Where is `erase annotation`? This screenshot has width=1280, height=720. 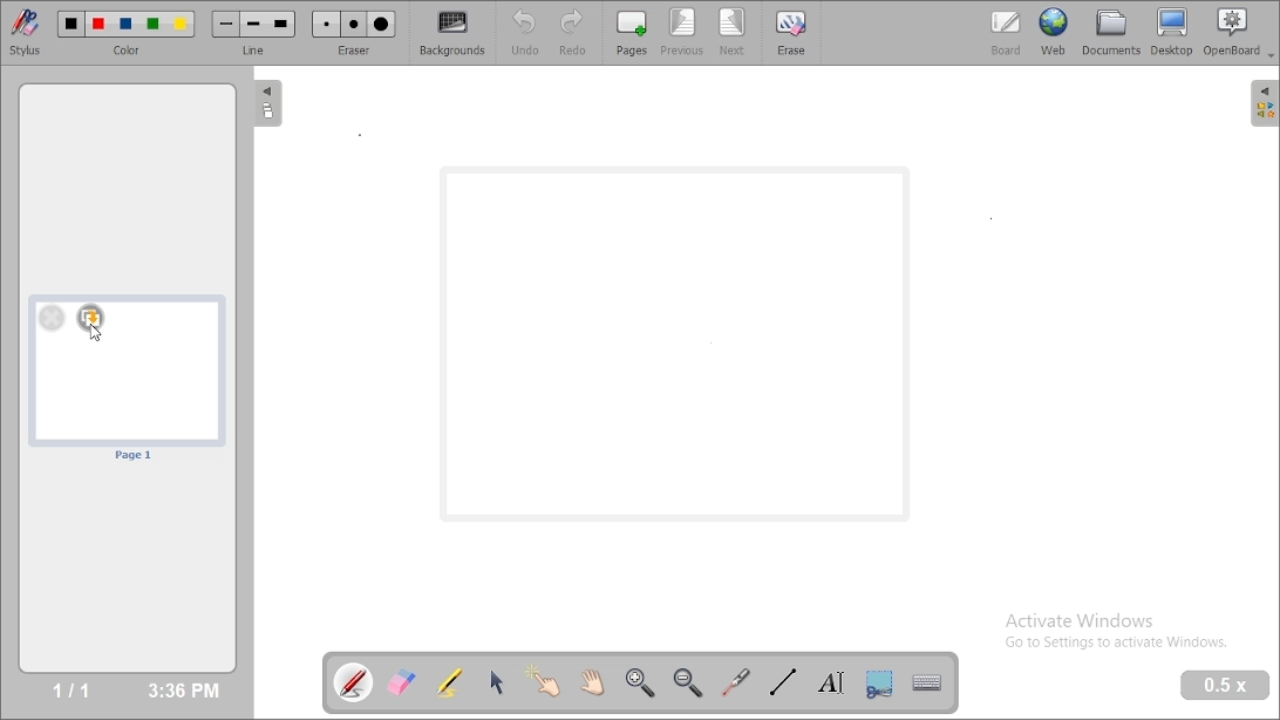 erase annotation is located at coordinates (403, 682).